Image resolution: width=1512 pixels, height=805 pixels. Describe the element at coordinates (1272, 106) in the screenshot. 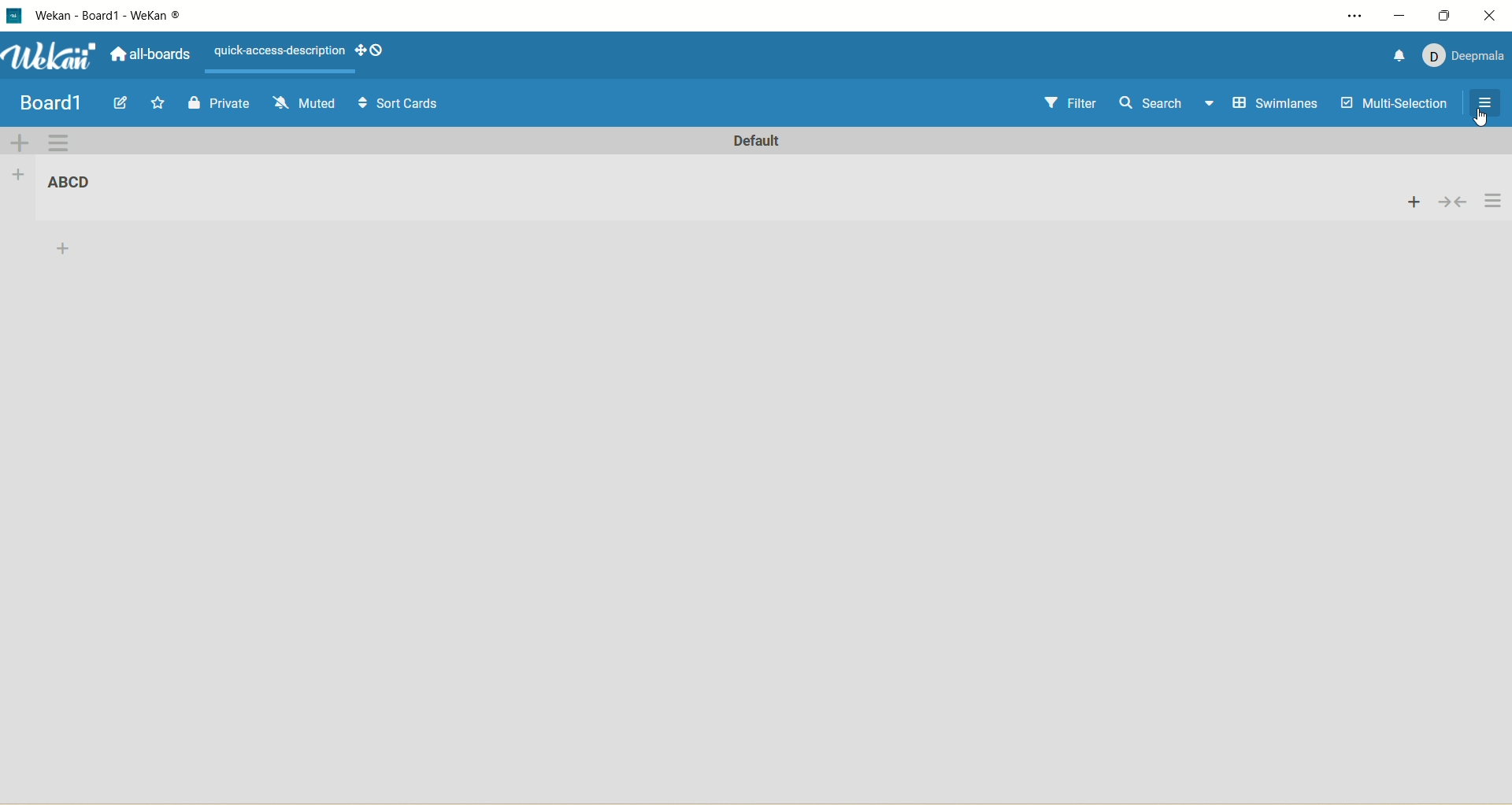

I see `swimlanes` at that location.